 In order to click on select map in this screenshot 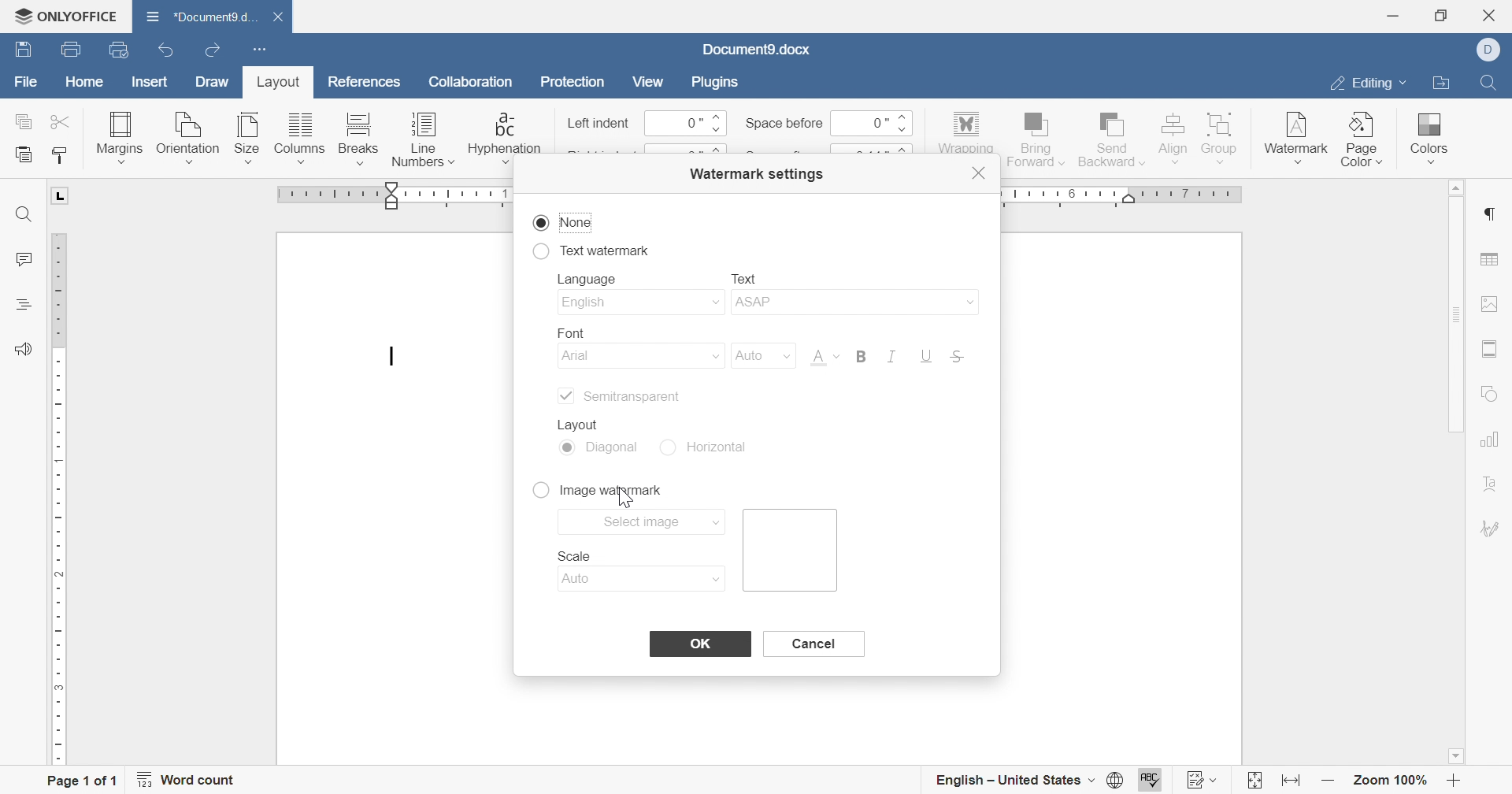, I will do `click(643, 521)`.